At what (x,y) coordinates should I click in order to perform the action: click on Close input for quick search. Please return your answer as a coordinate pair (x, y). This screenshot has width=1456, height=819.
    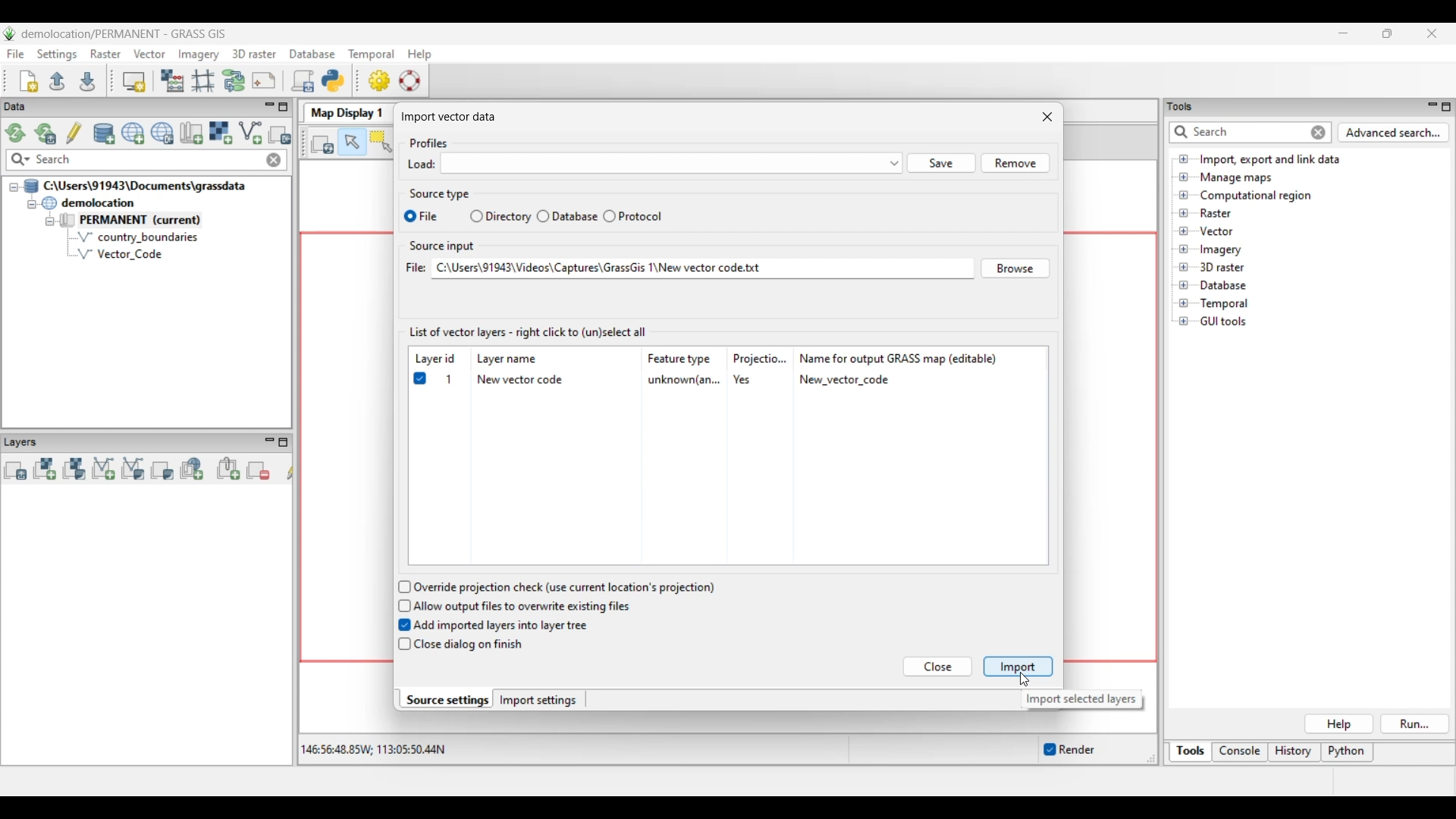
    Looking at the image, I should click on (1319, 133).